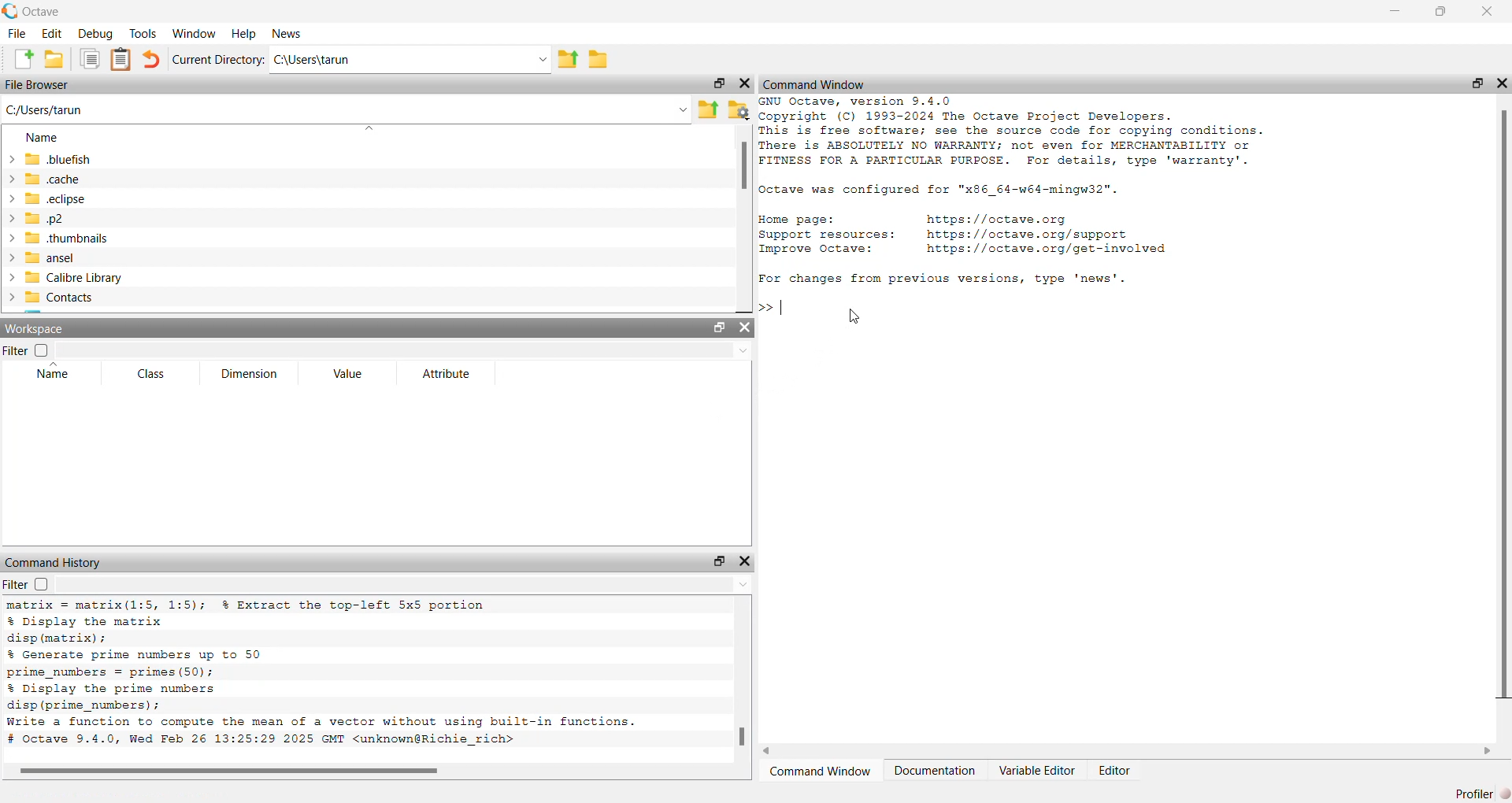  I want to click on calibre library, so click(75, 278).